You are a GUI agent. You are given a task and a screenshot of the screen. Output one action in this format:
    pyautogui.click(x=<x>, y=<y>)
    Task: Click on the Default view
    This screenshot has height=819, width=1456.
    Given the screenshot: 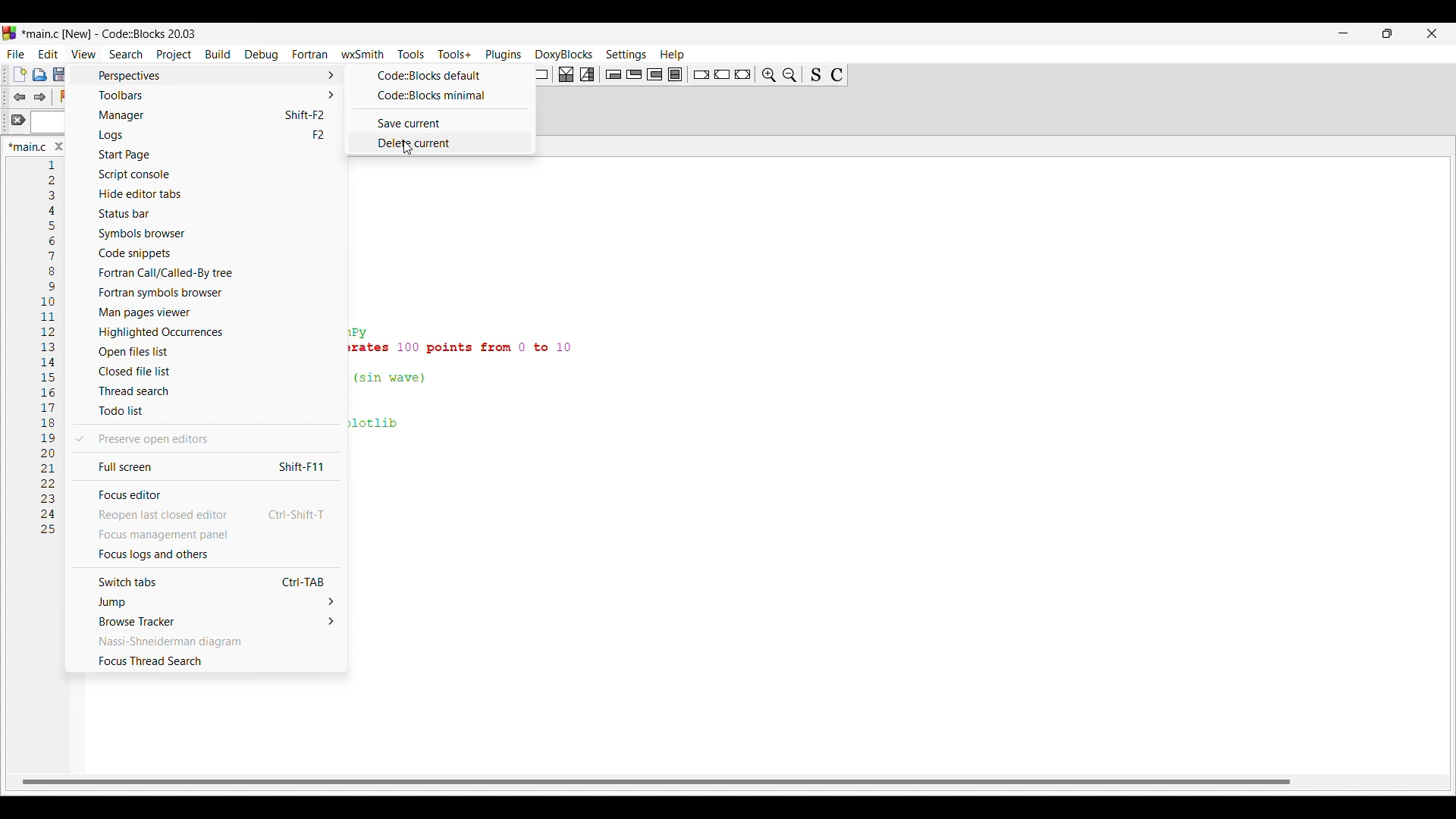 What is the action you would take?
    pyautogui.click(x=438, y=75)
    